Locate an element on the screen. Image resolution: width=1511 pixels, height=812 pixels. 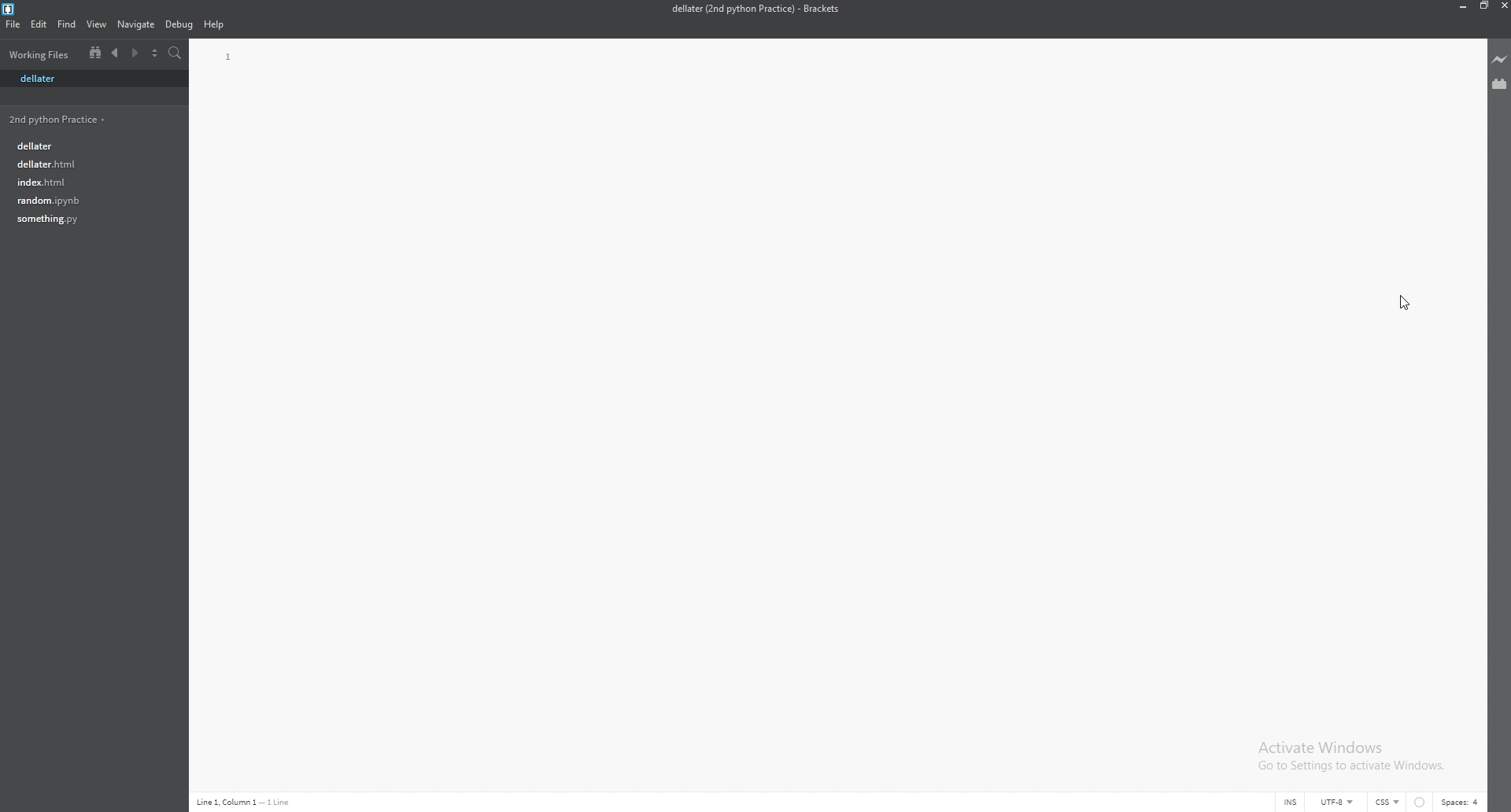
debug is located at coordinates (179, 25).